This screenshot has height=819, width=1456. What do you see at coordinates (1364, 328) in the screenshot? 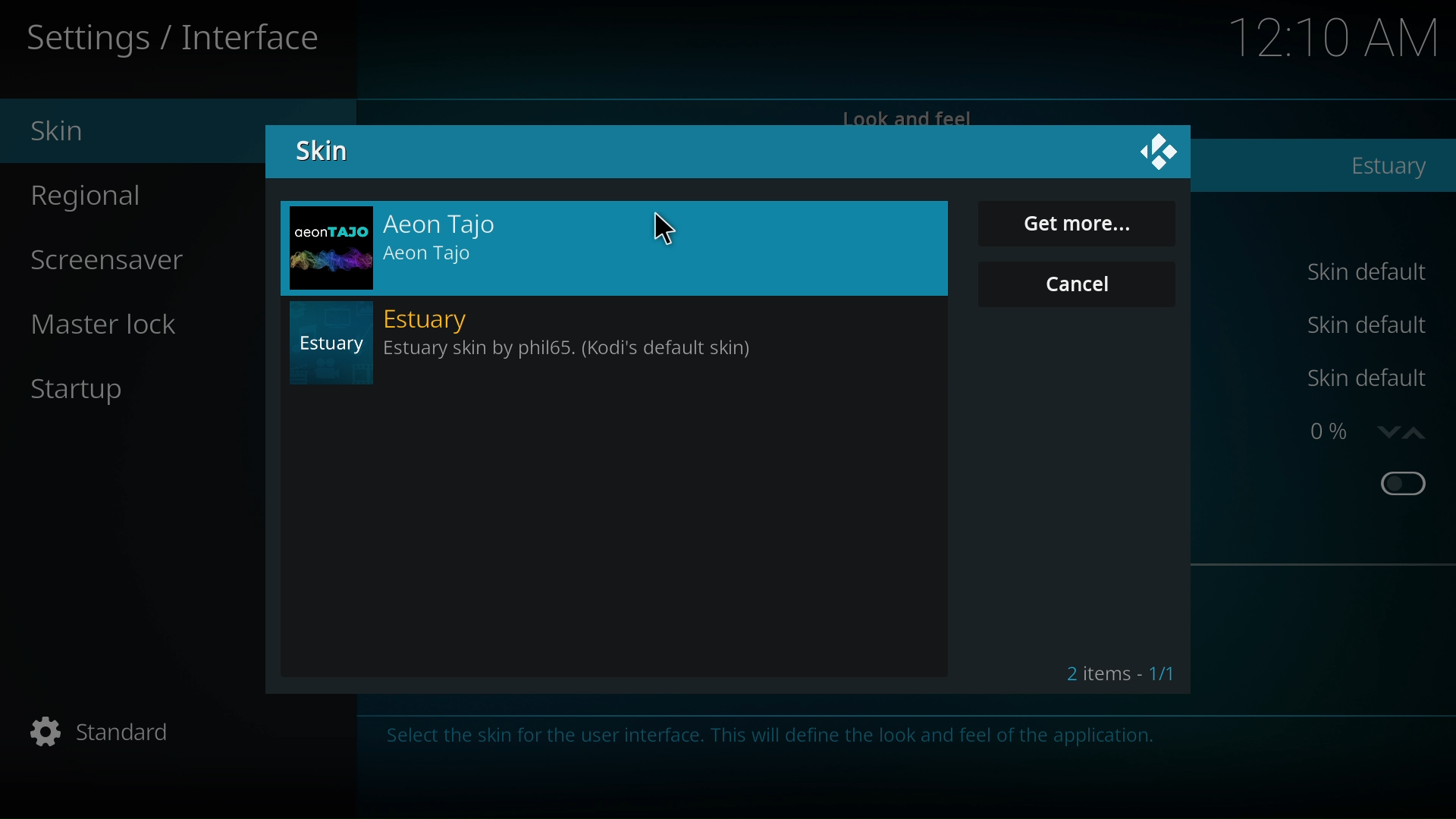
I see `Skin default` at bounding box center [1364, 328].